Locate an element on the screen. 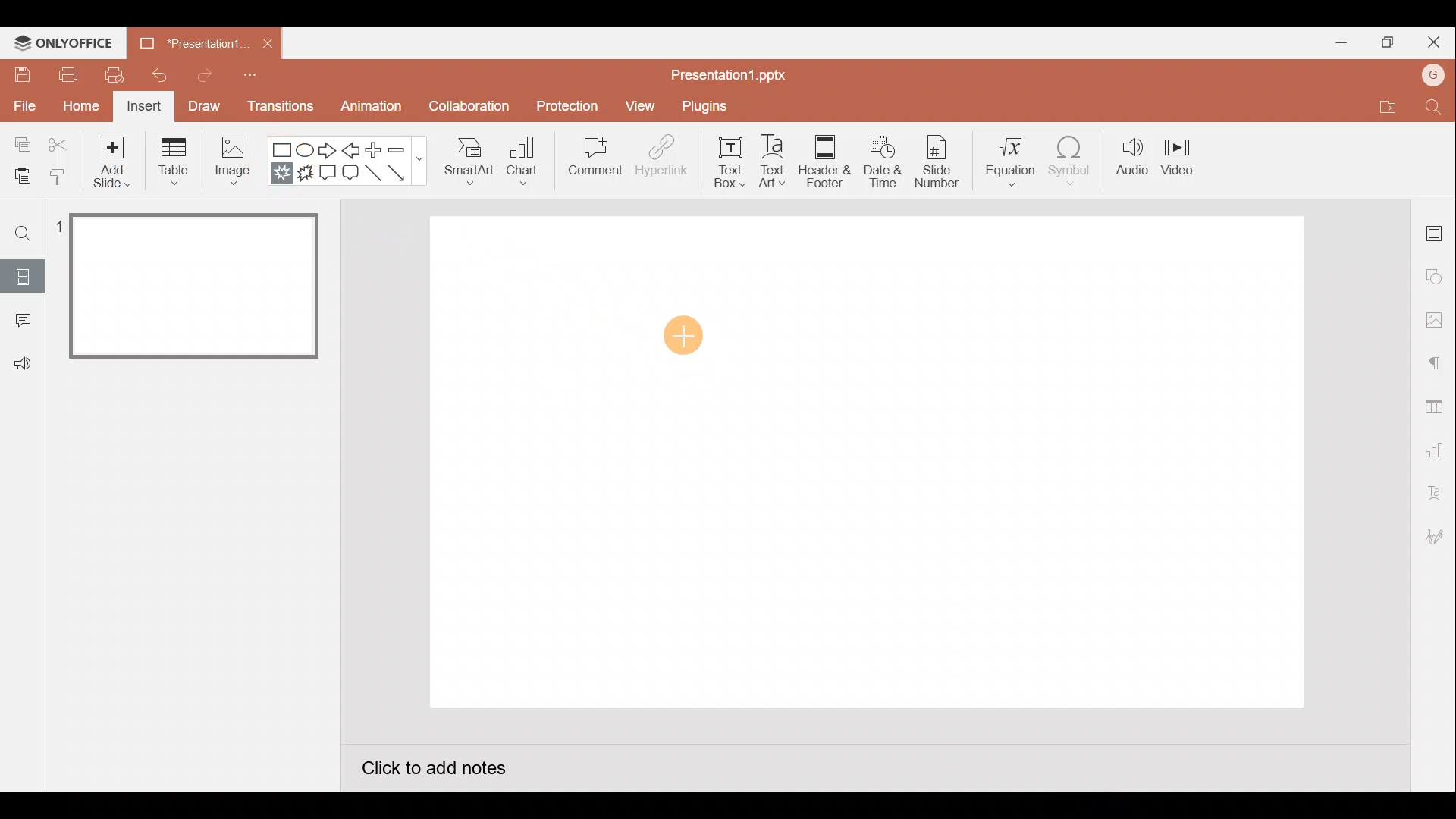 This screenshot has height=819, width=1456. Hyperlink is located at coordinates (660, 159).